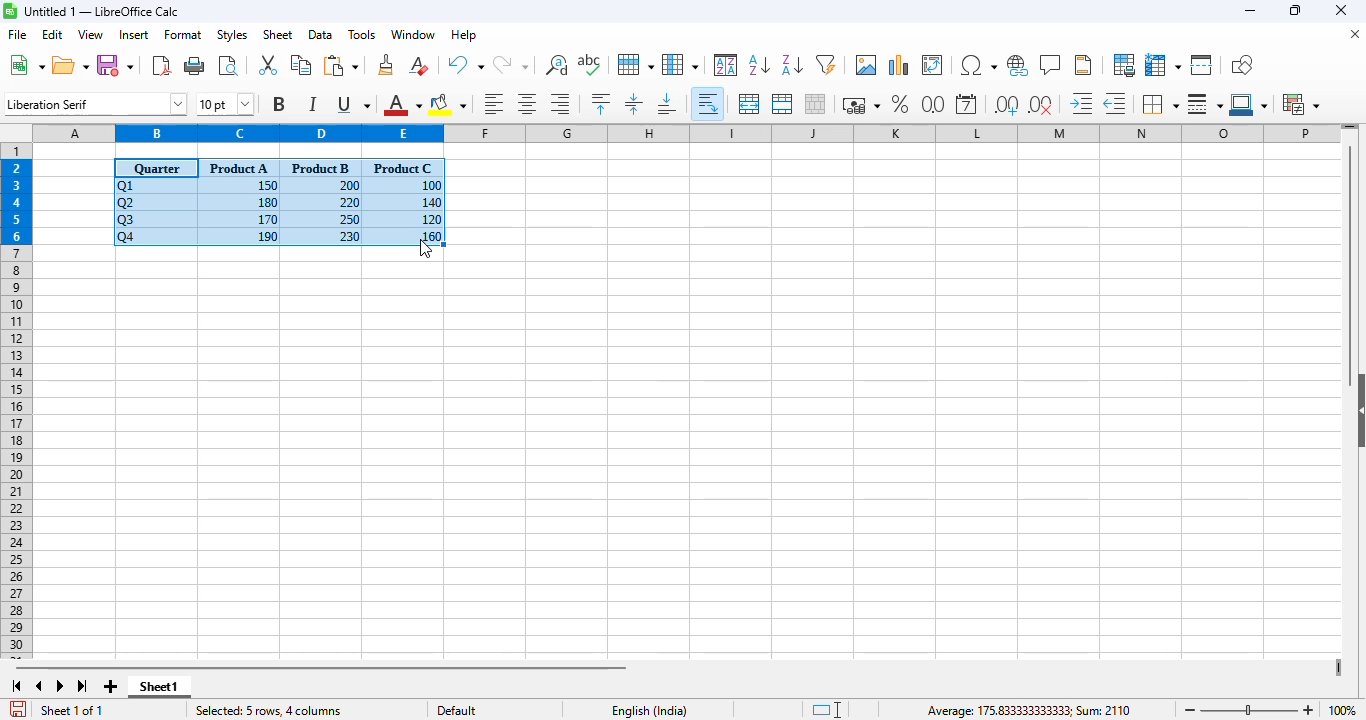 This screenshot has height=720, width=1366. I want to click on background color, so click(448, 104).